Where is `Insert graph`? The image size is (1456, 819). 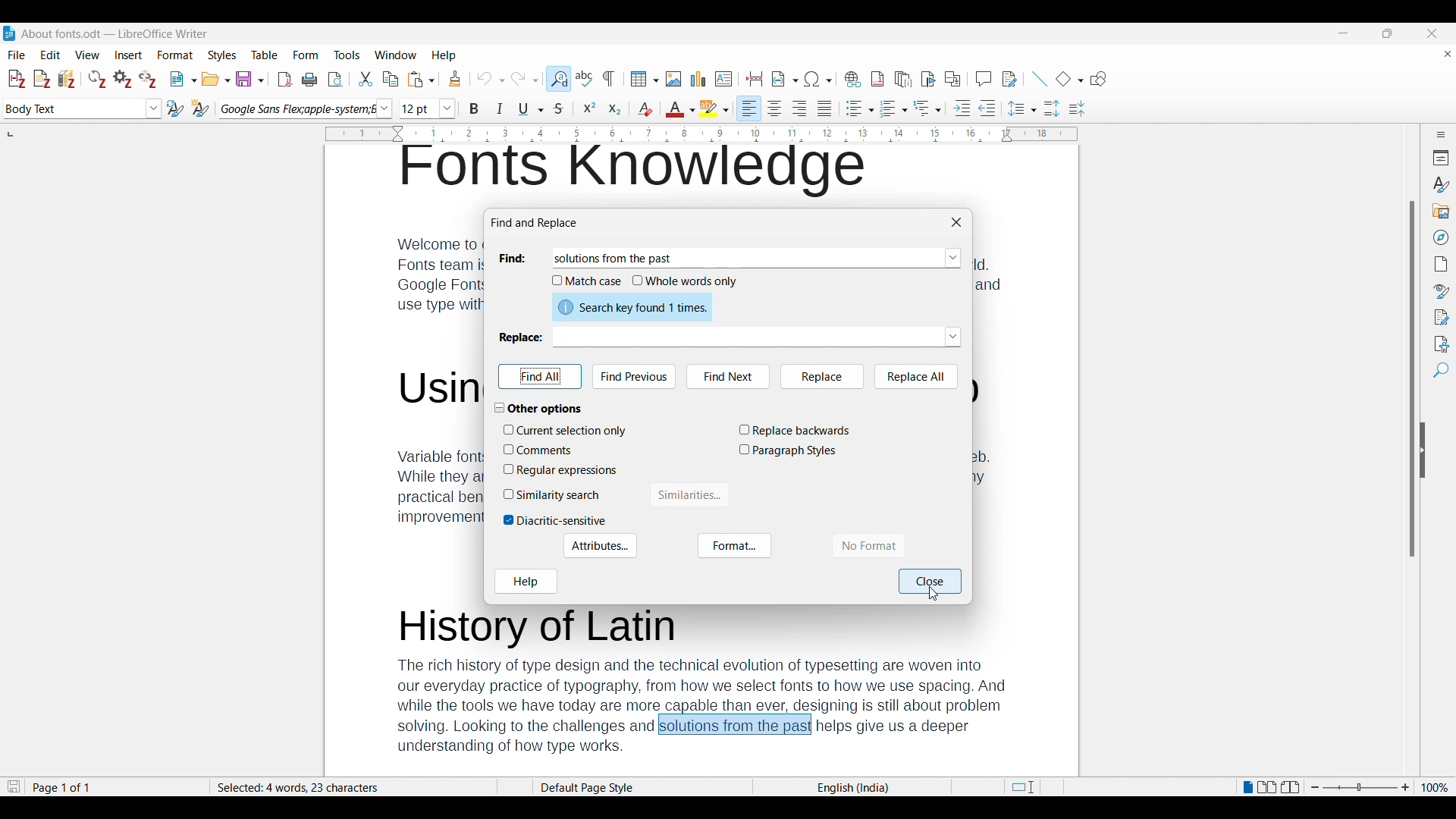 Insert graph is located at coordinates (698, 79).